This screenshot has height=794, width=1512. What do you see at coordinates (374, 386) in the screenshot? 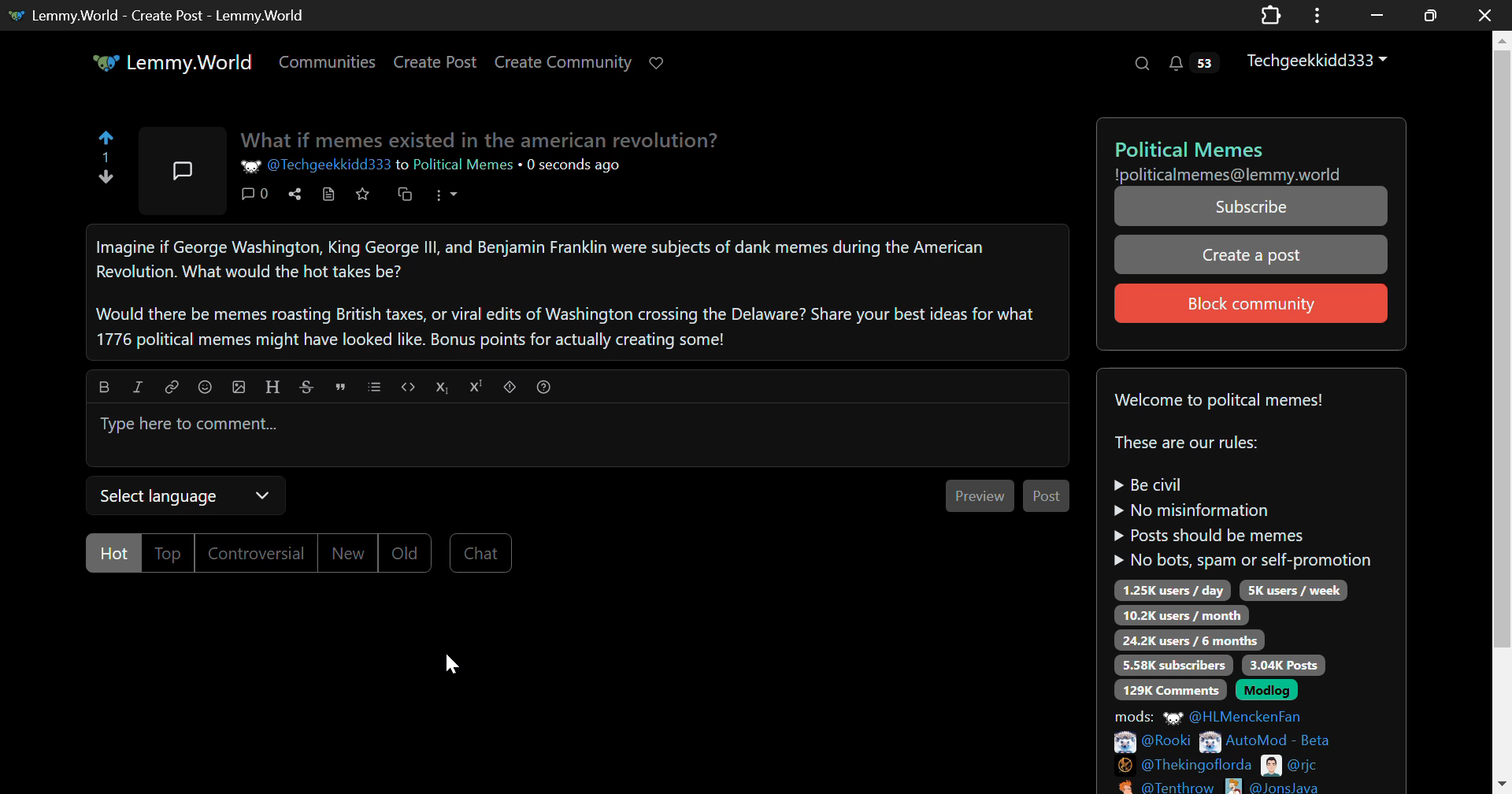
I see `List` at bounding box center [374, 386].